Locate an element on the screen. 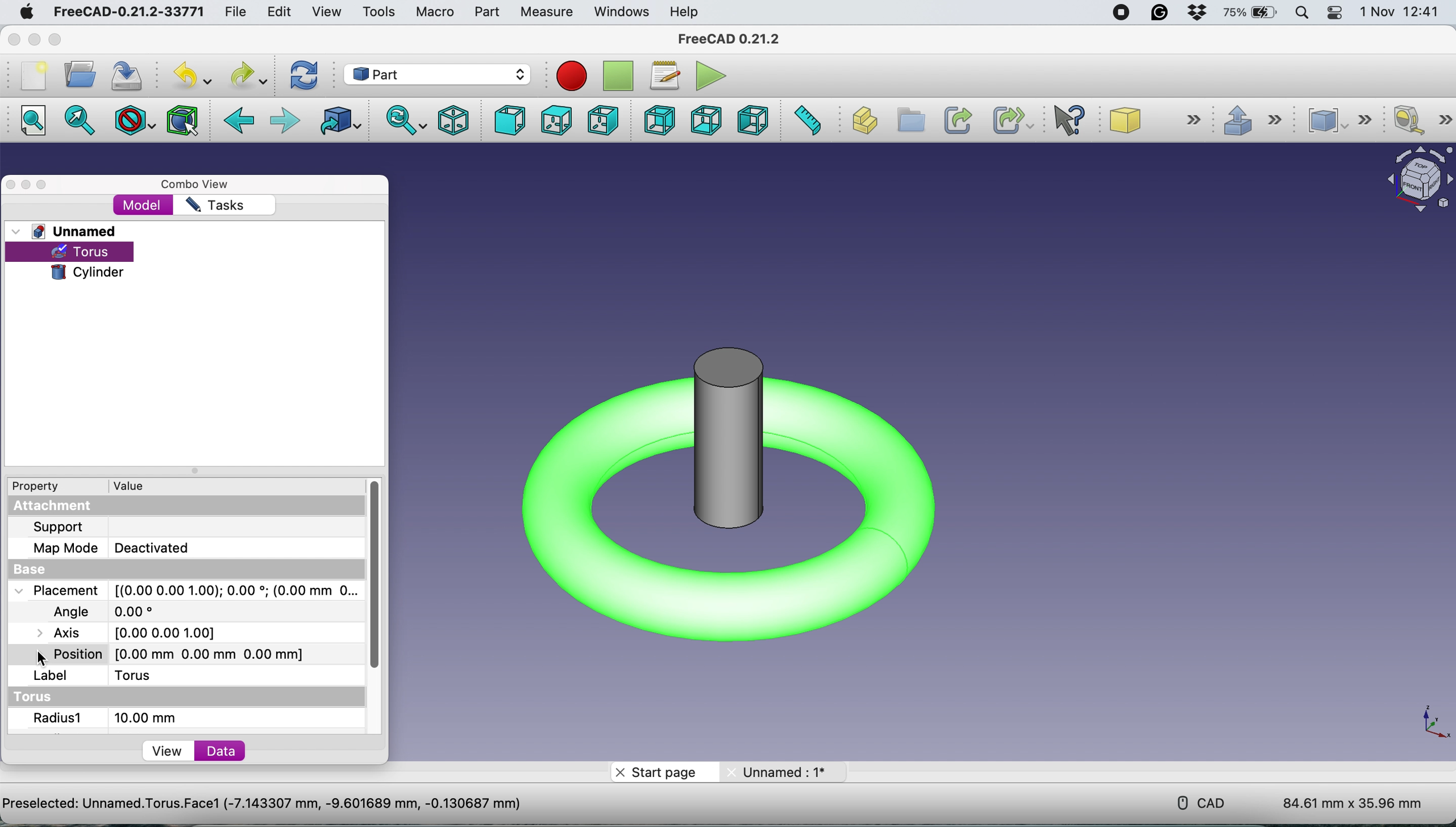  spotlight search is located at coordinates (1304, 14).